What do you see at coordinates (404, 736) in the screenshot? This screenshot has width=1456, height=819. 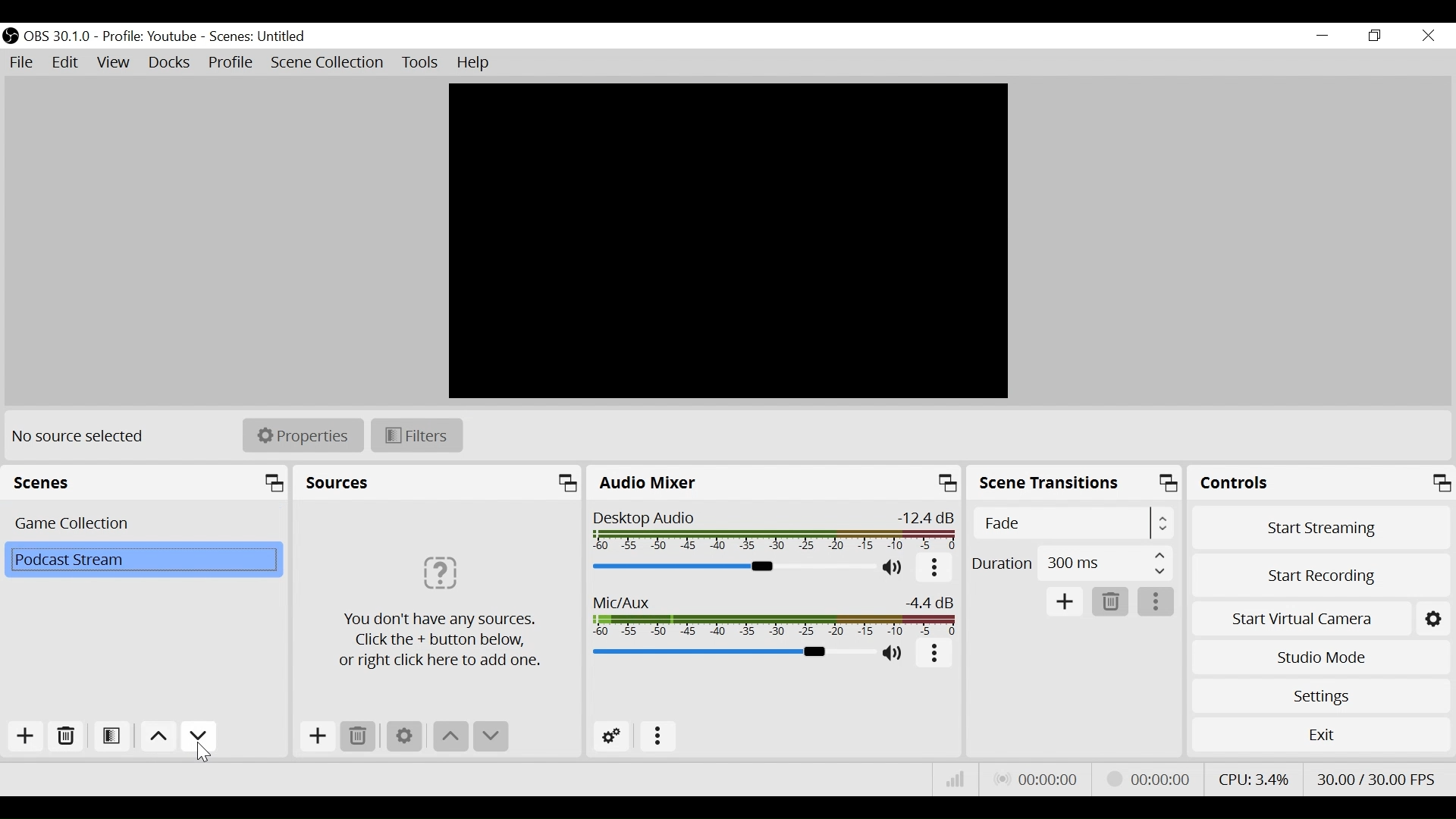 I see `Settings` at bounding box center [404, 736].